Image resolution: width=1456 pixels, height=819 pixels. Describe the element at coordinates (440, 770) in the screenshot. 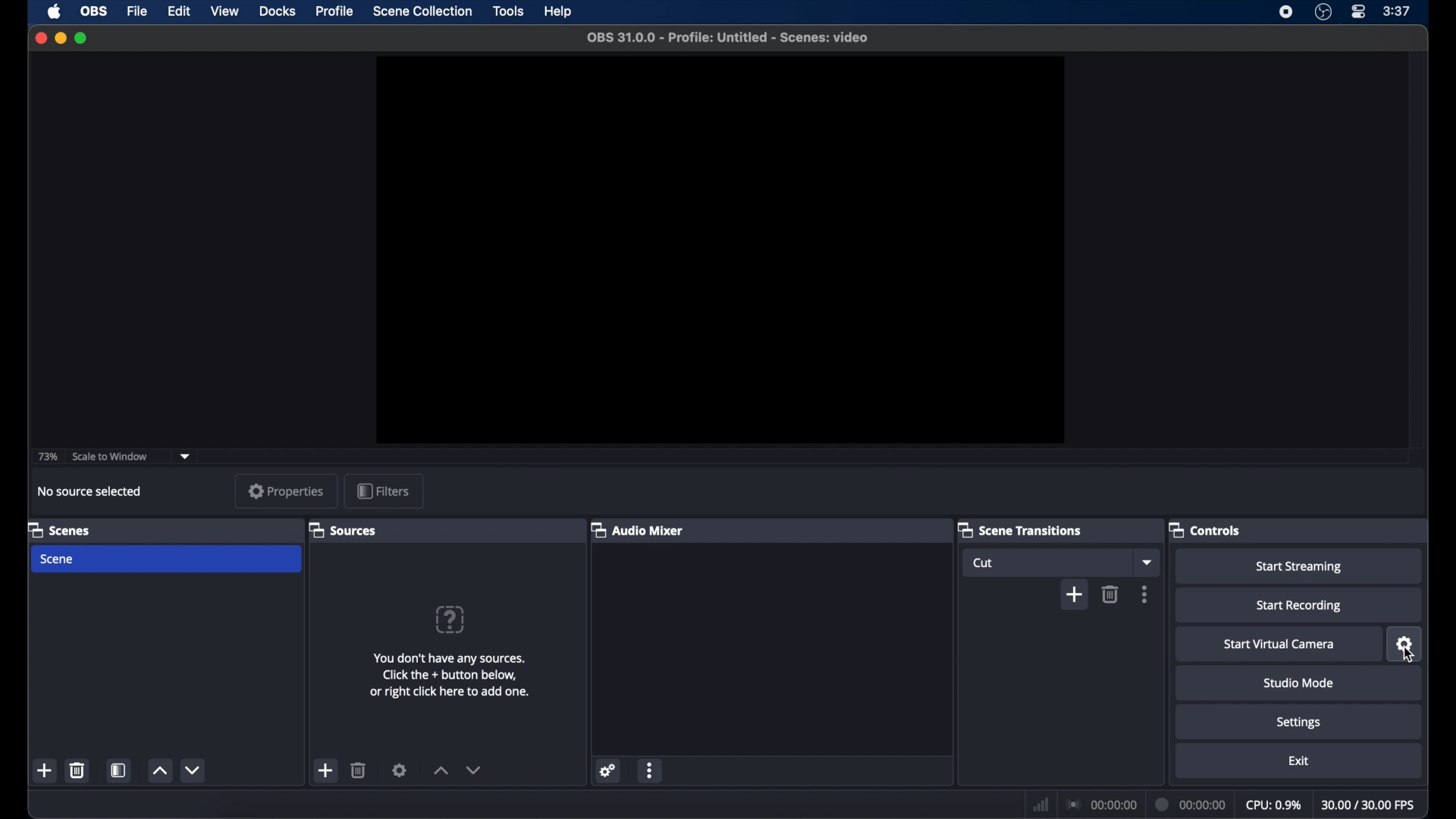

I see `increment` at that location.